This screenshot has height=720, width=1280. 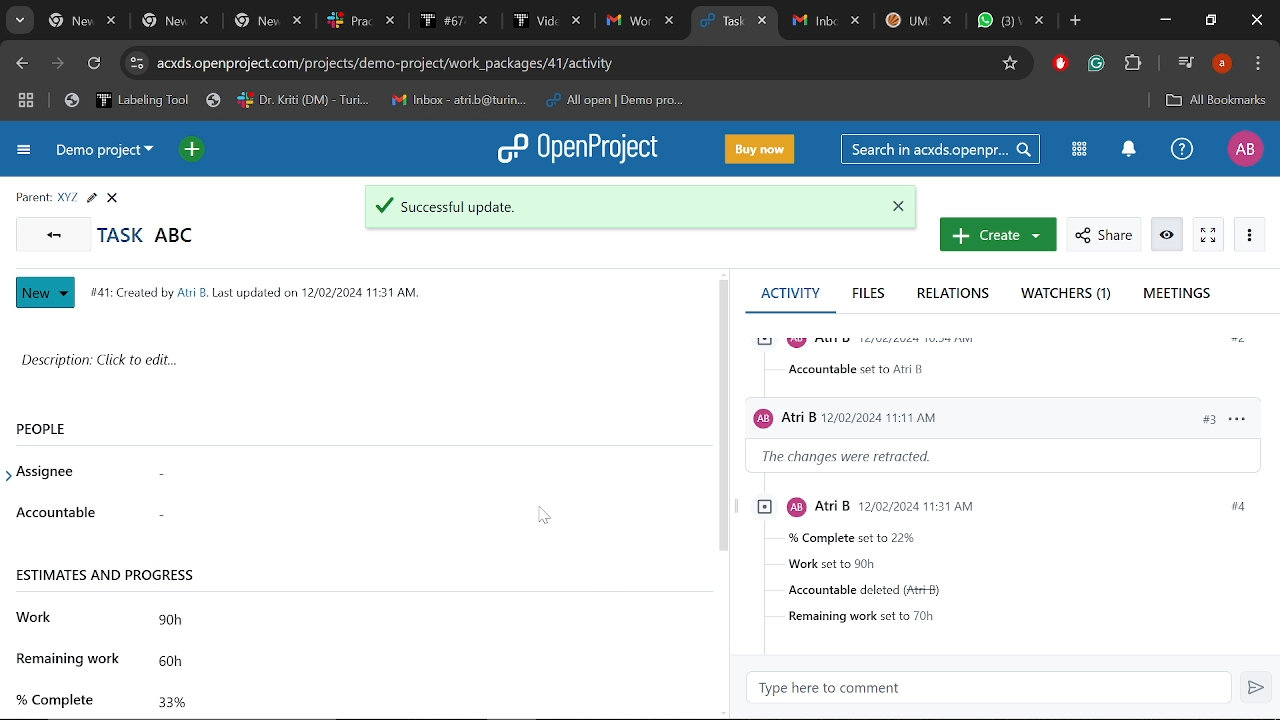 I want to click on Remaining work, so click(x=181, y=660).